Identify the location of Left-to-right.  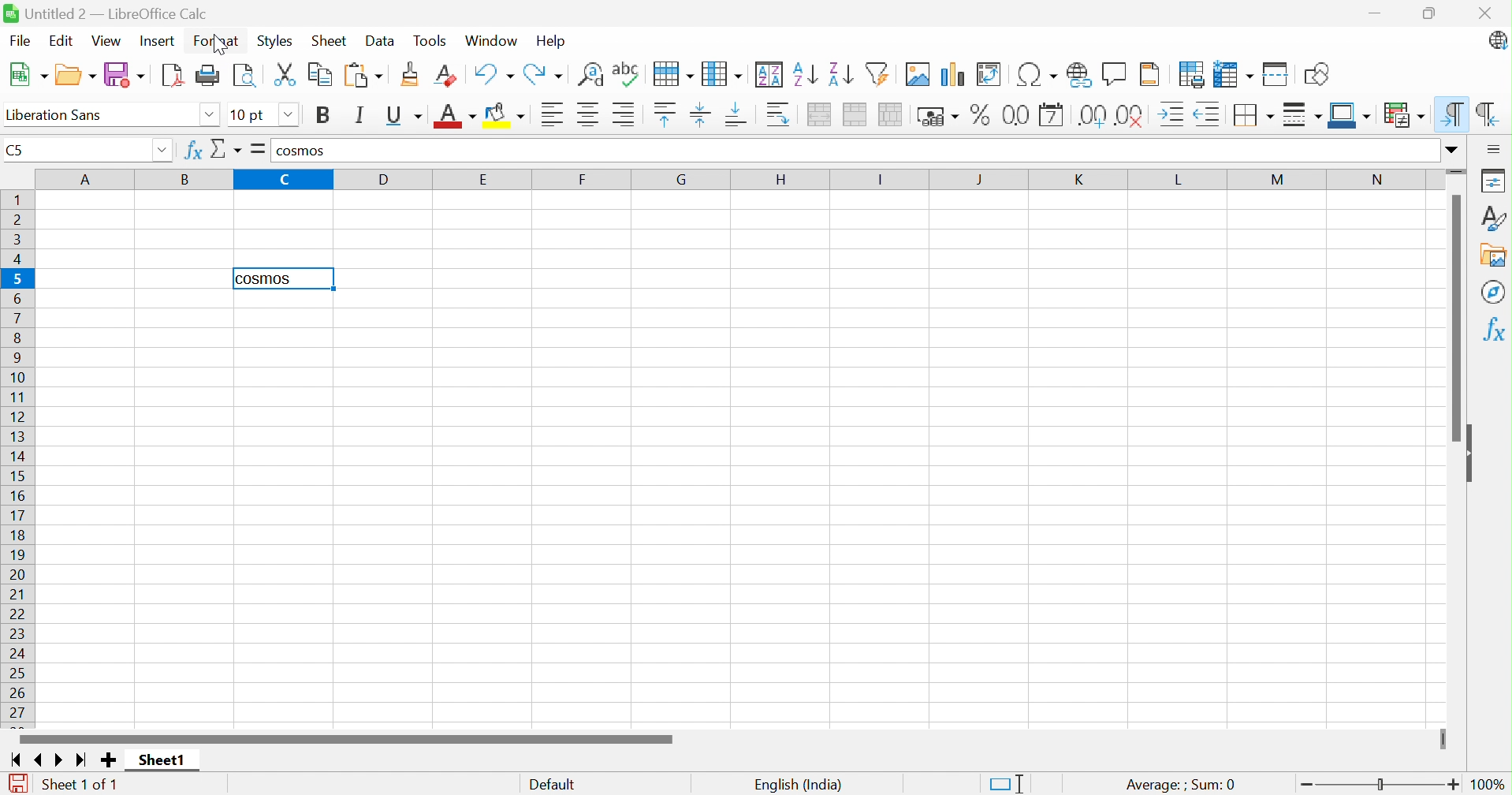
(1454, 114).